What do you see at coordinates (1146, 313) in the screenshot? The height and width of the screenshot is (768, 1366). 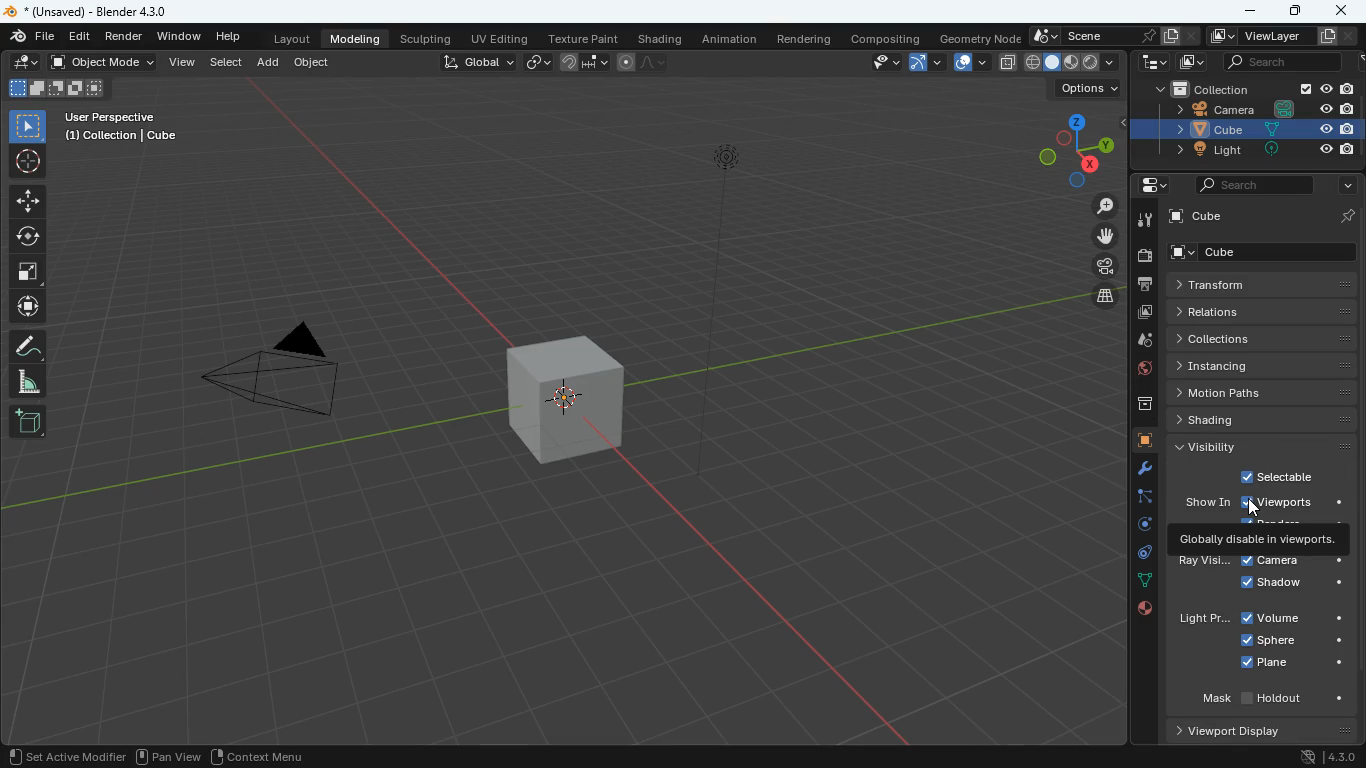 I see `image` at bounding box center [1146, 313].